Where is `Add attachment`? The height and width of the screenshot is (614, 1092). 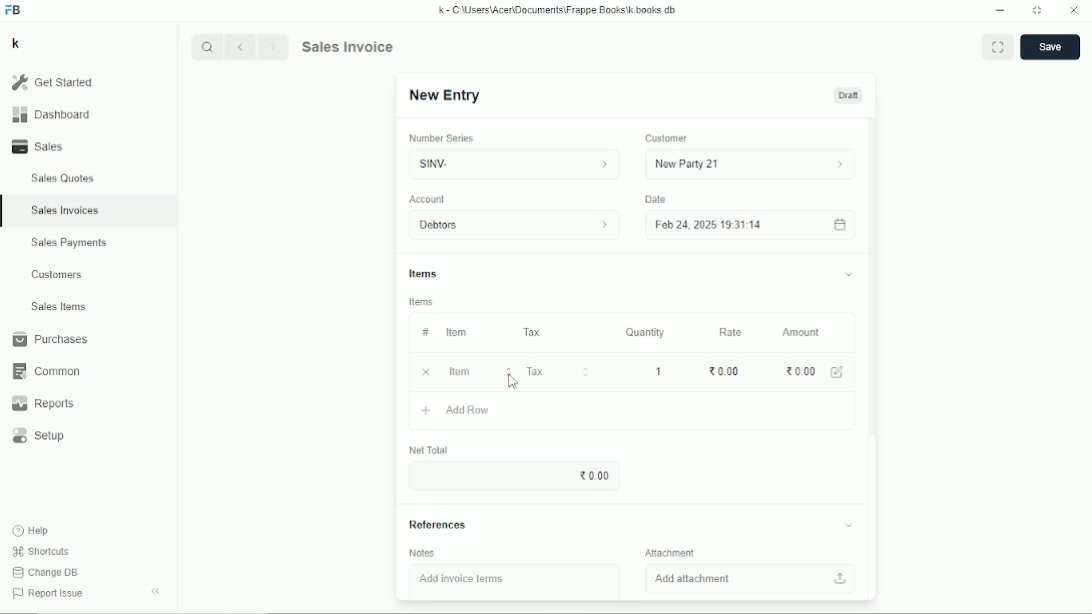
Add attachment is located at coordinates (753, 578).